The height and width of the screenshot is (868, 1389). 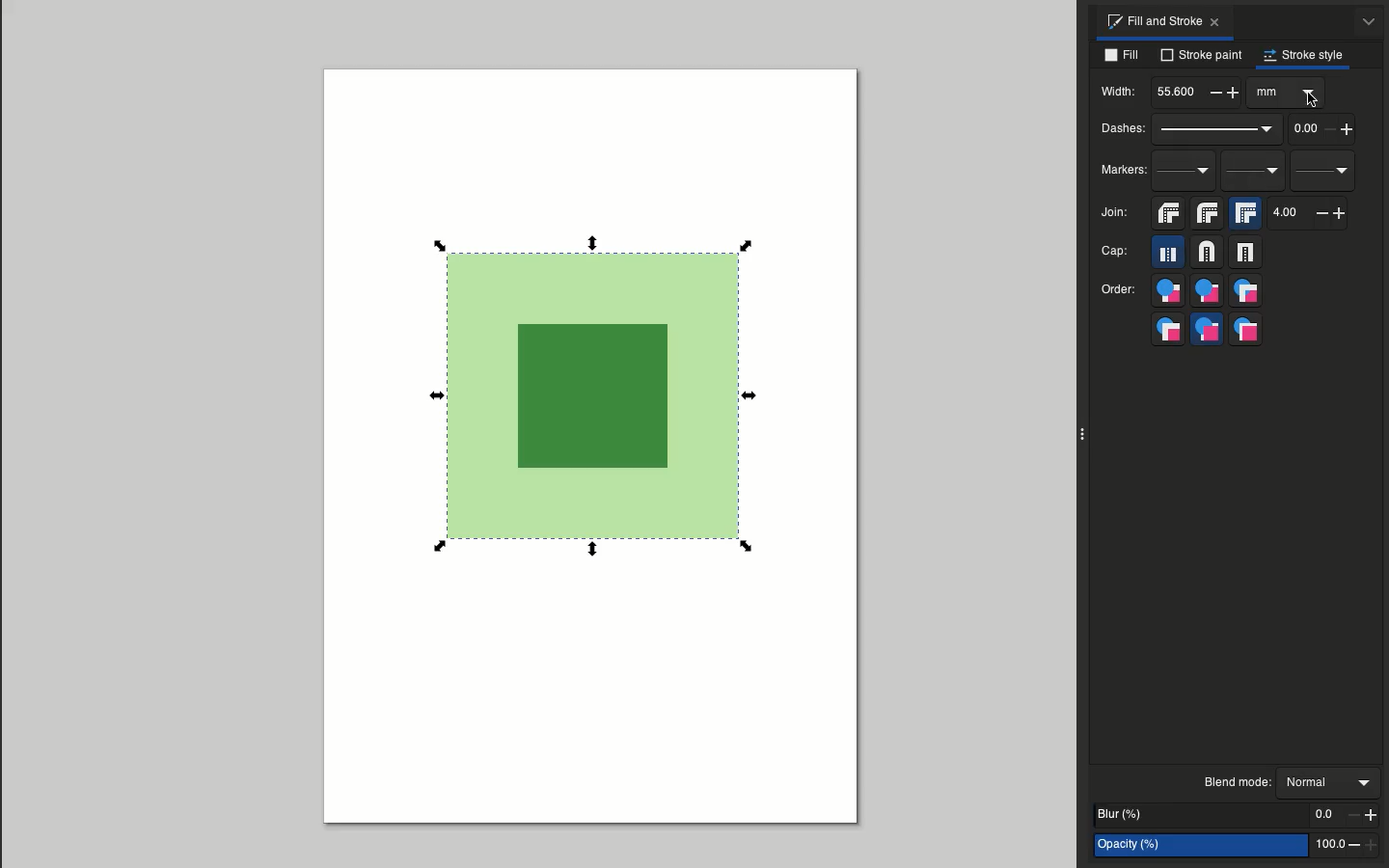 I want to click on Bevel join, so click(x=1170, y=213).